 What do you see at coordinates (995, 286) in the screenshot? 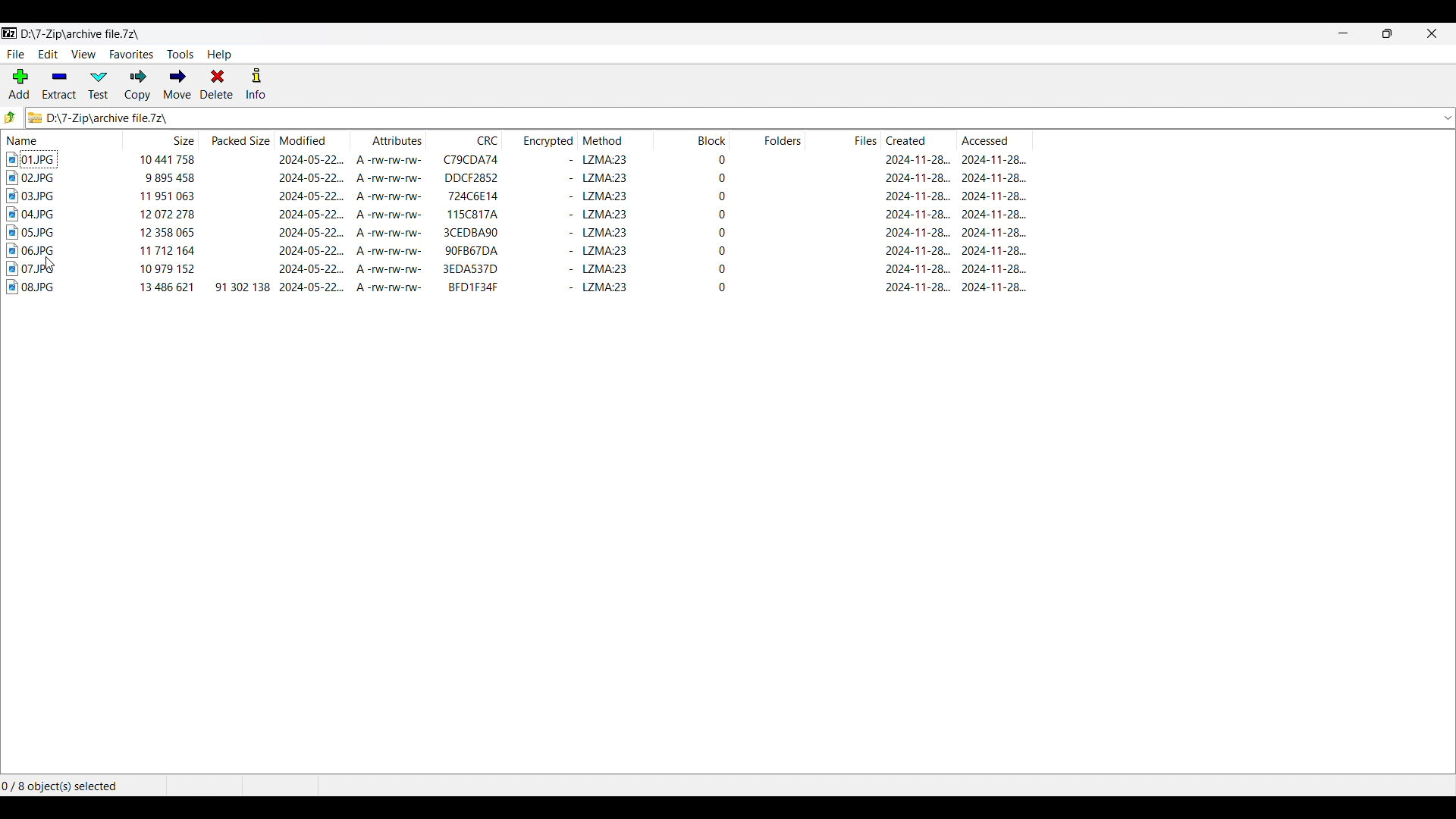
I see `accessed date & time` at bounding box center [995, 286].